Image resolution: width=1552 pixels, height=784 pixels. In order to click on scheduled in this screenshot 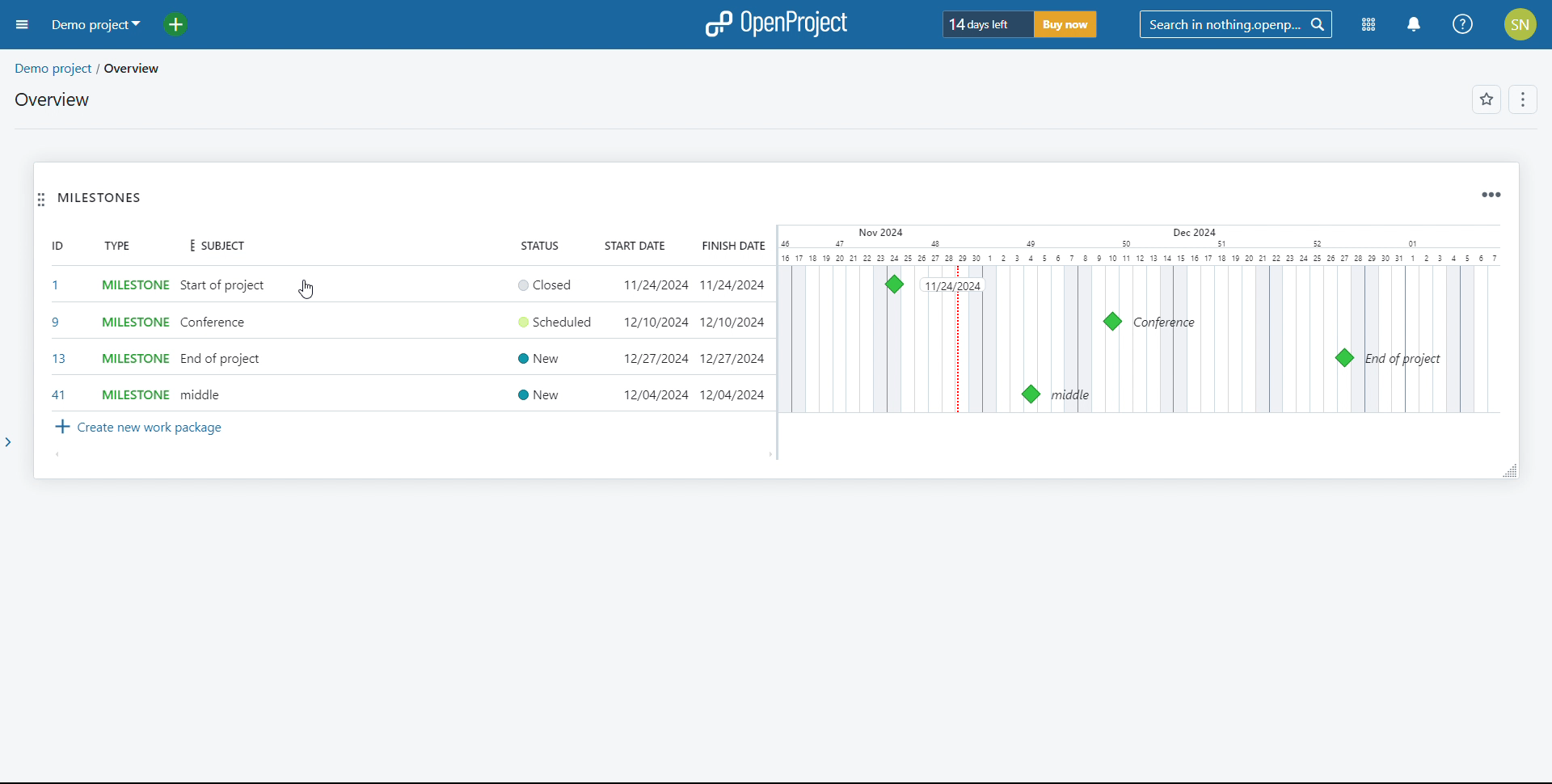, I will do `click(555, 326)`.